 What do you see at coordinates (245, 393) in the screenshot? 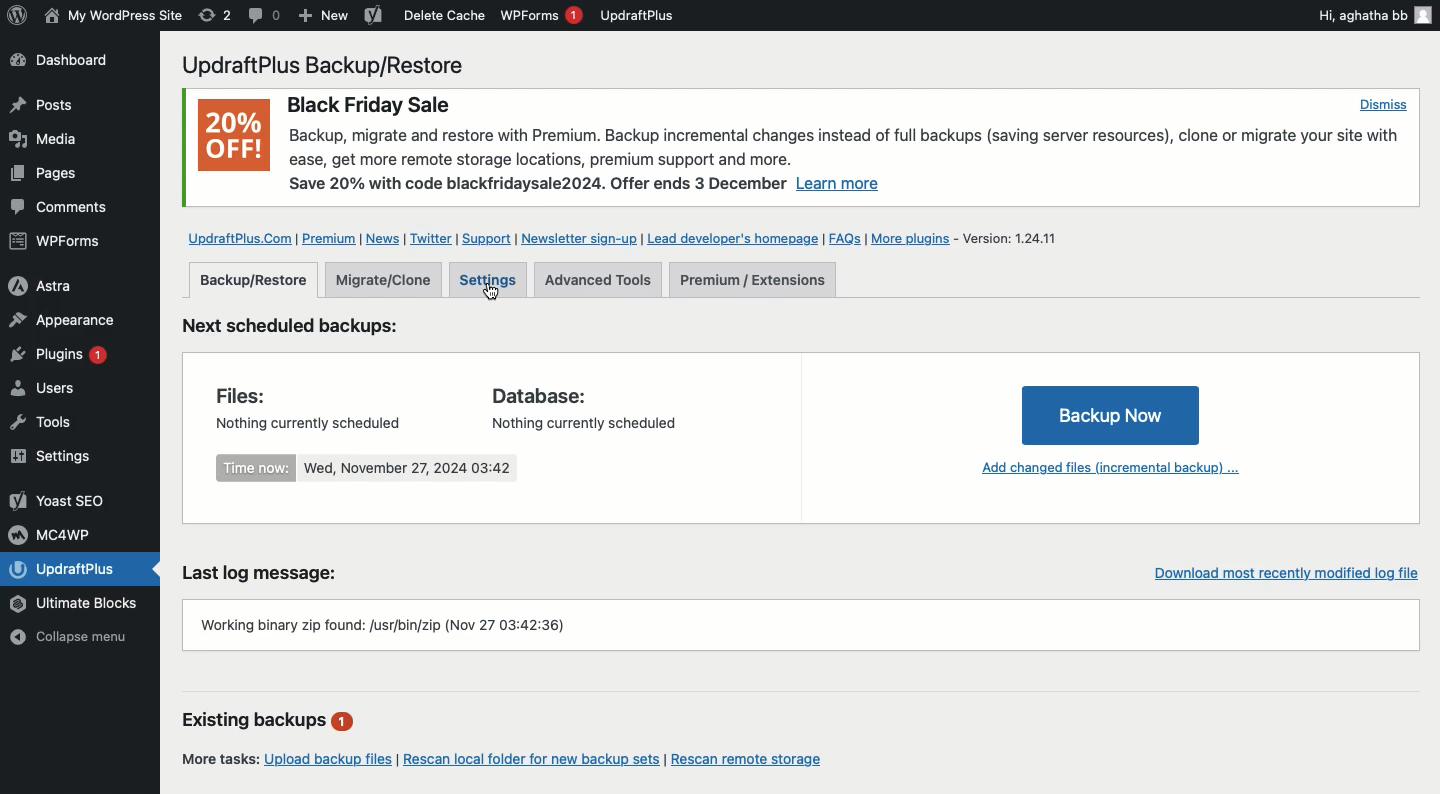
I see `Files` at bounding box center [245, 393].